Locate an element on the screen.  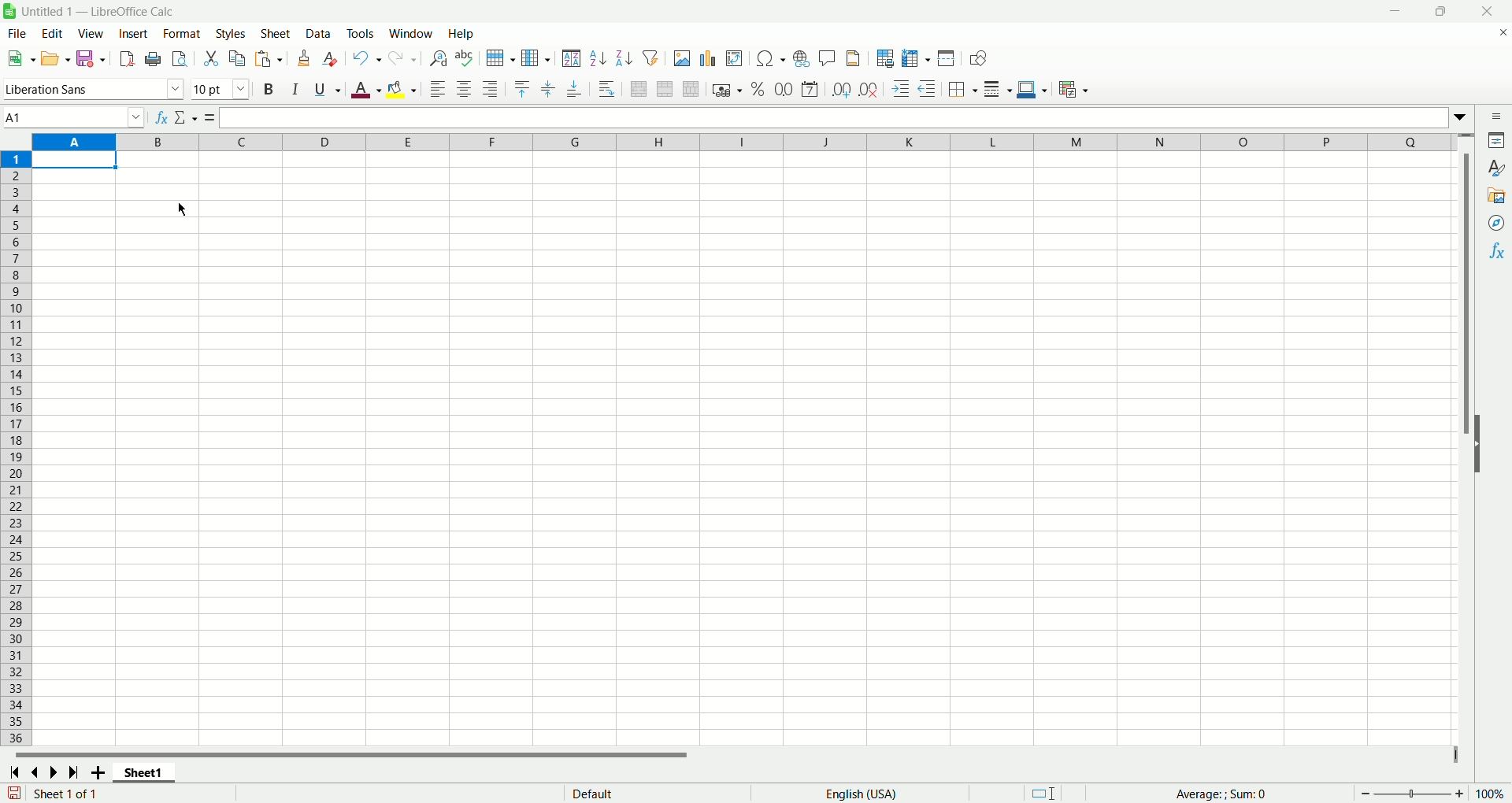
find and replace is located at coordinates (437, 59).